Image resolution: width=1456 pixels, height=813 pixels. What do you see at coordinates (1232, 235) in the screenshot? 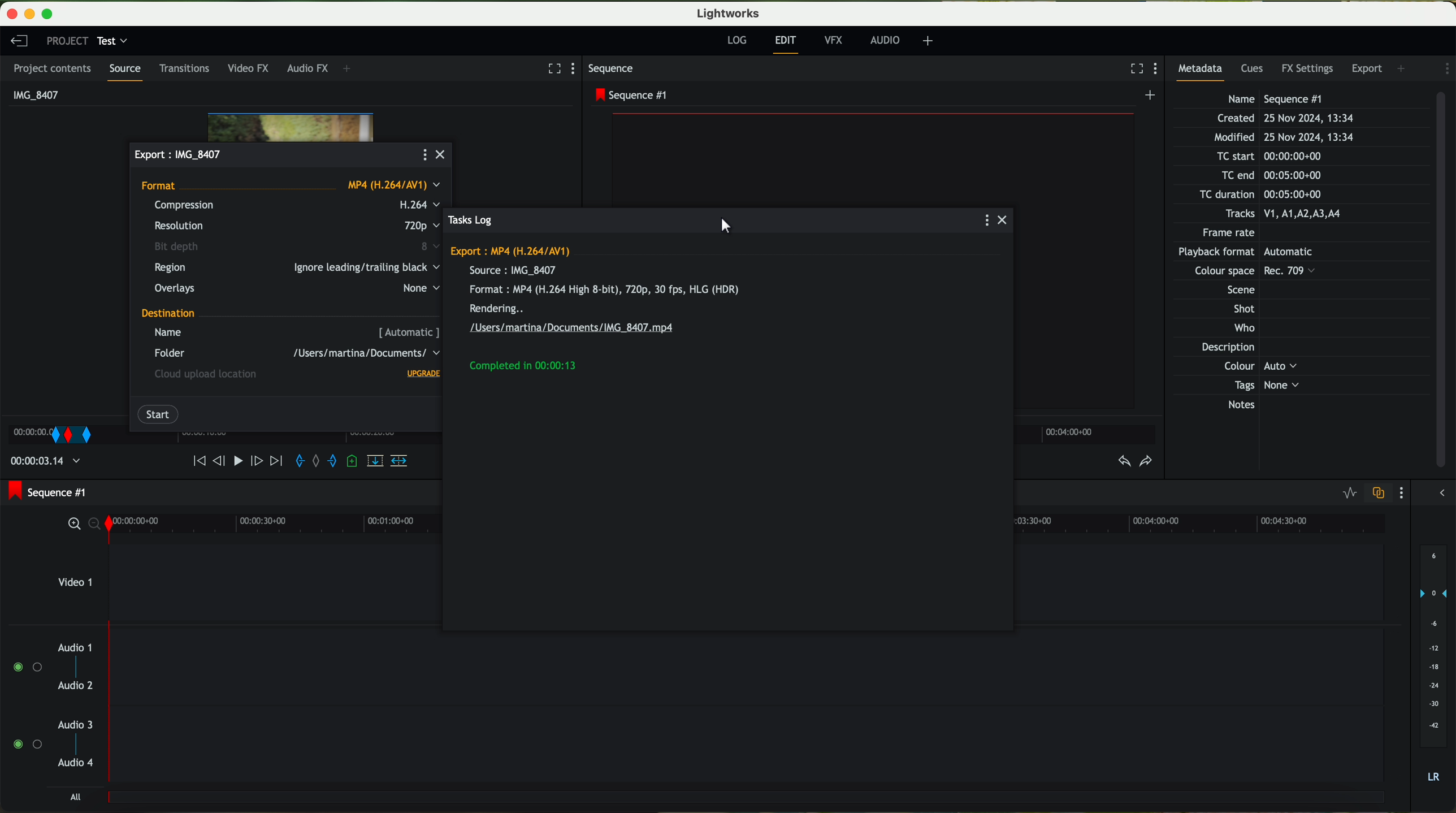
I see `Frame rate` at bounding box center [1232, 235].